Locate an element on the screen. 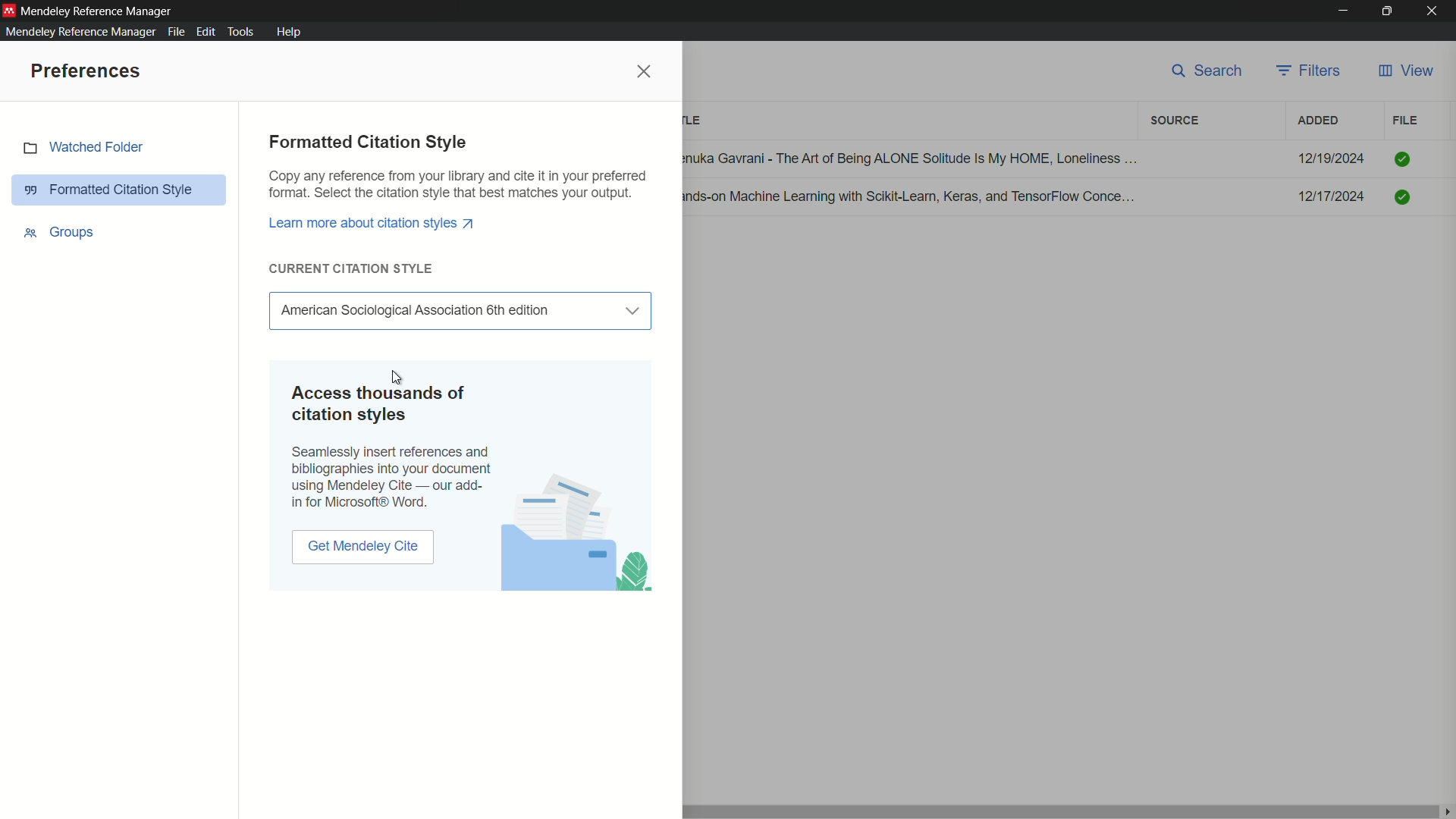 The width and height of the screenshot is (1456, 819). get mendeley cite is located at coordinates (362, 549).